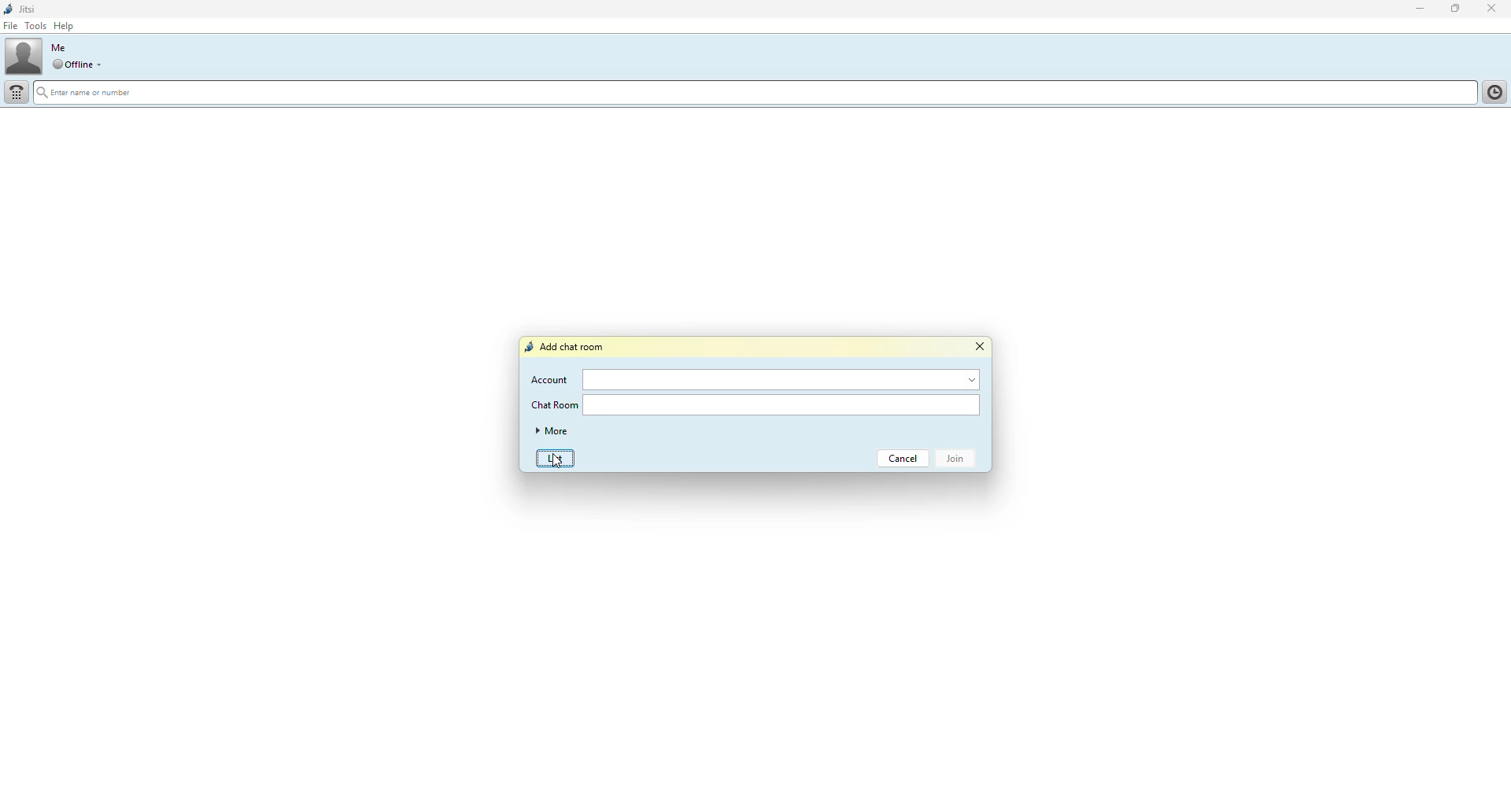 The image size is (1511, 812). Describe the element at coordinates (64, 25) in the screenshot. I see `help` at that location.